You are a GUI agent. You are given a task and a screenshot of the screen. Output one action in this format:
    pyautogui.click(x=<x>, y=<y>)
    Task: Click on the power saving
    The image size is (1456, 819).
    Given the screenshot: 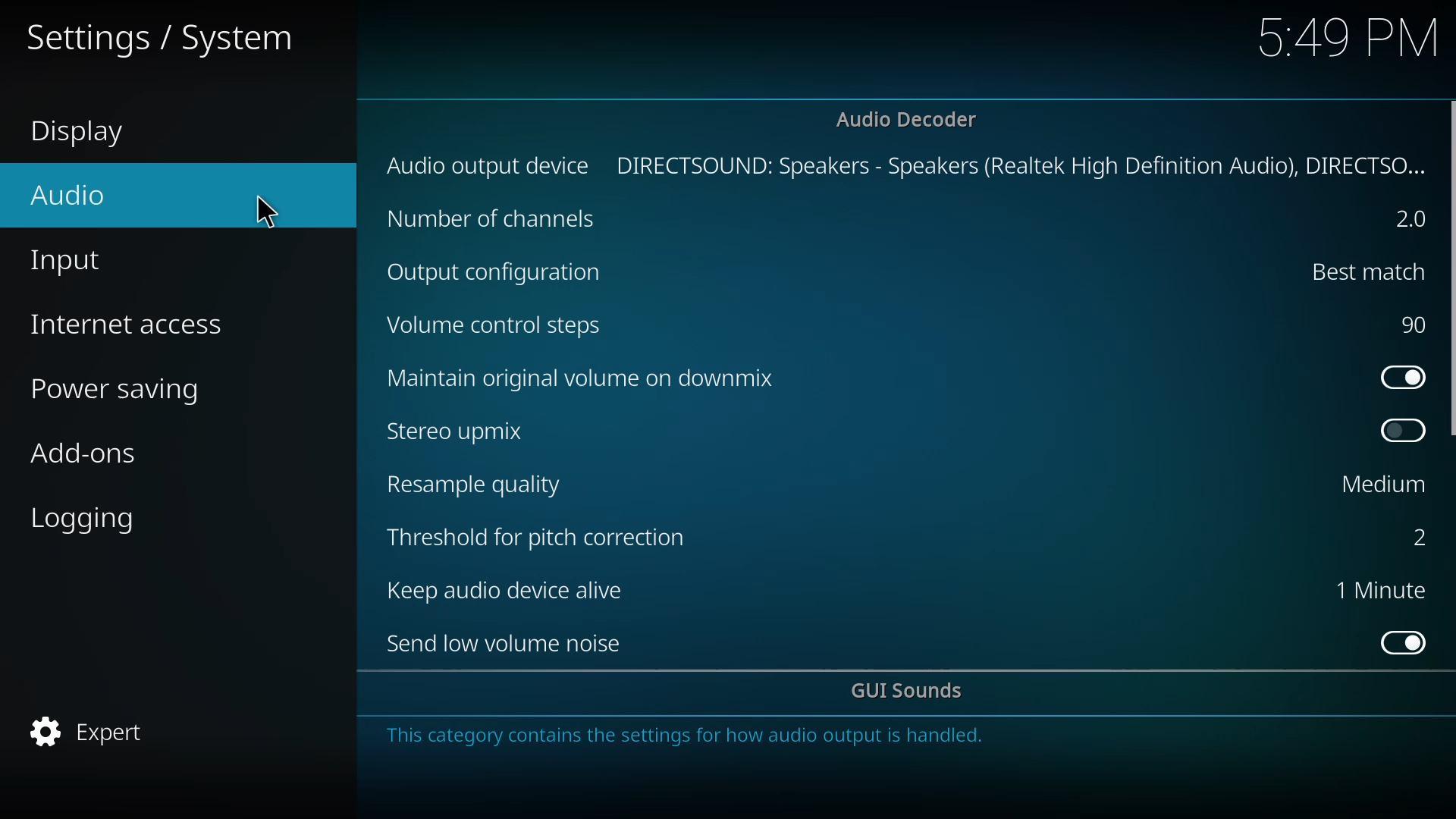 What is the action you would take?
    pyautogui.click(x=121, y=391)
    